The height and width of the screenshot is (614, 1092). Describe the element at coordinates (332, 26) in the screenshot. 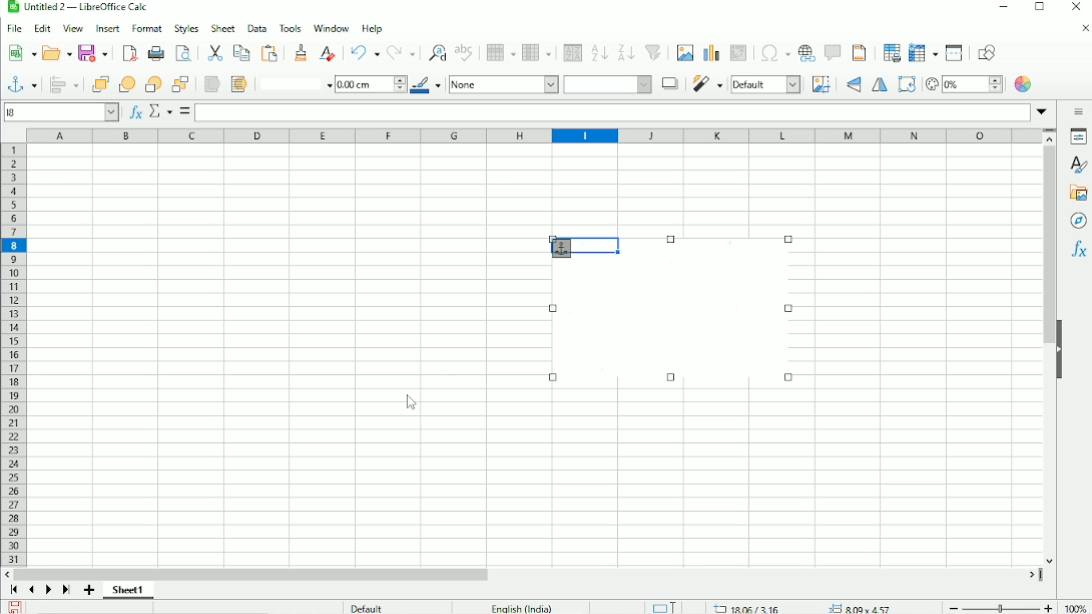

I see `Window` at that location.